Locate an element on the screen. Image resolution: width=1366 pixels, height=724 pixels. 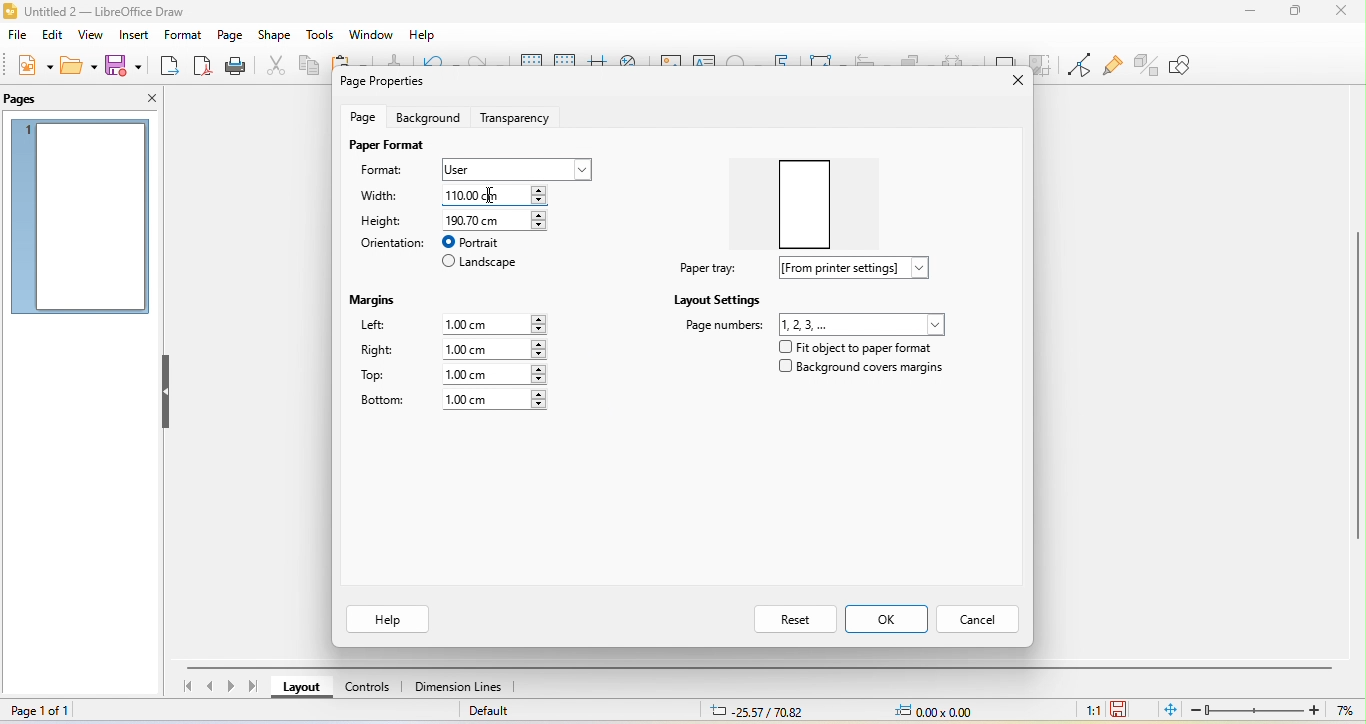
page 1 of 1 is located at coordinates (50, 711).